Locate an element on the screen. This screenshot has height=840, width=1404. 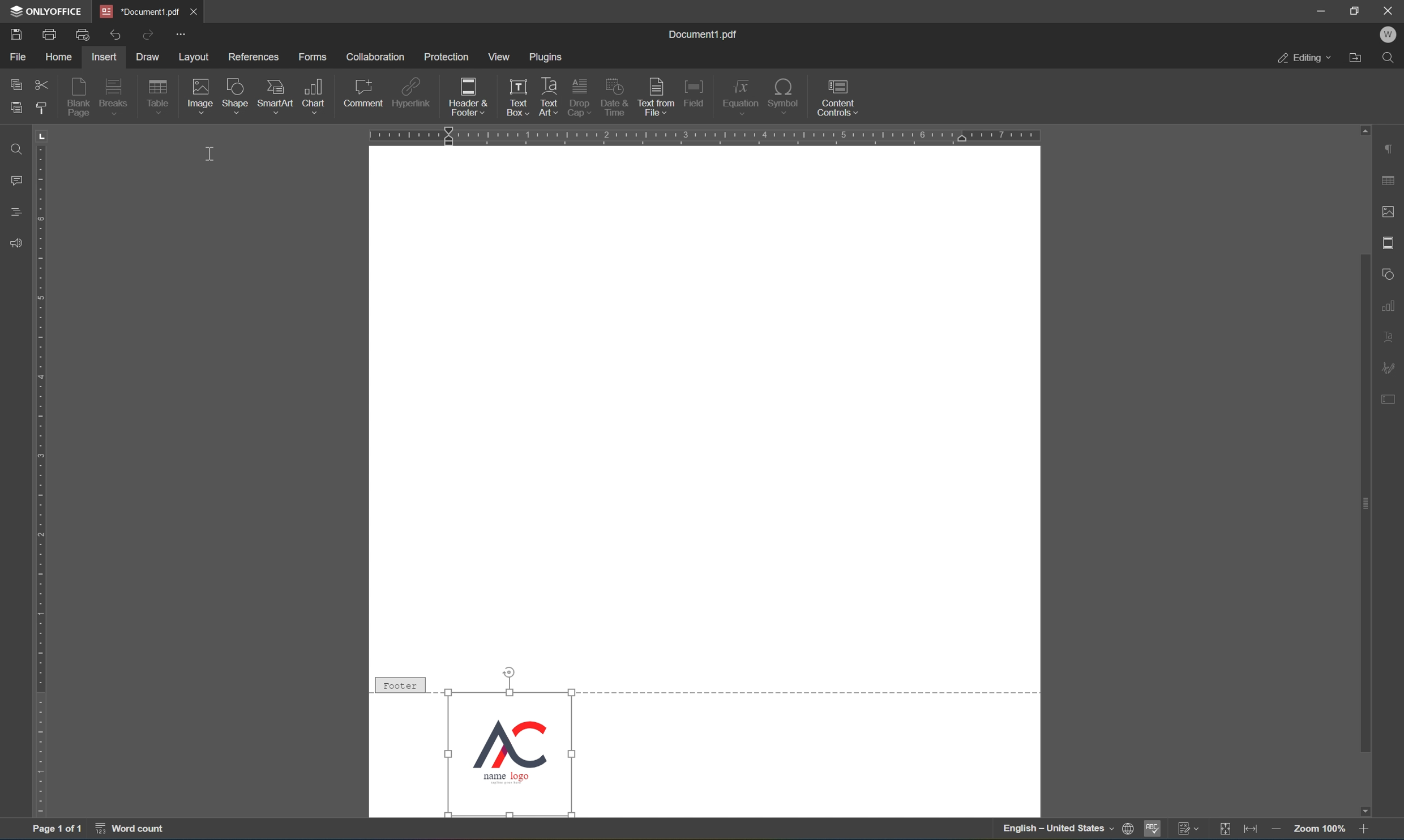
drop cap is located at coordinates (581, 87).